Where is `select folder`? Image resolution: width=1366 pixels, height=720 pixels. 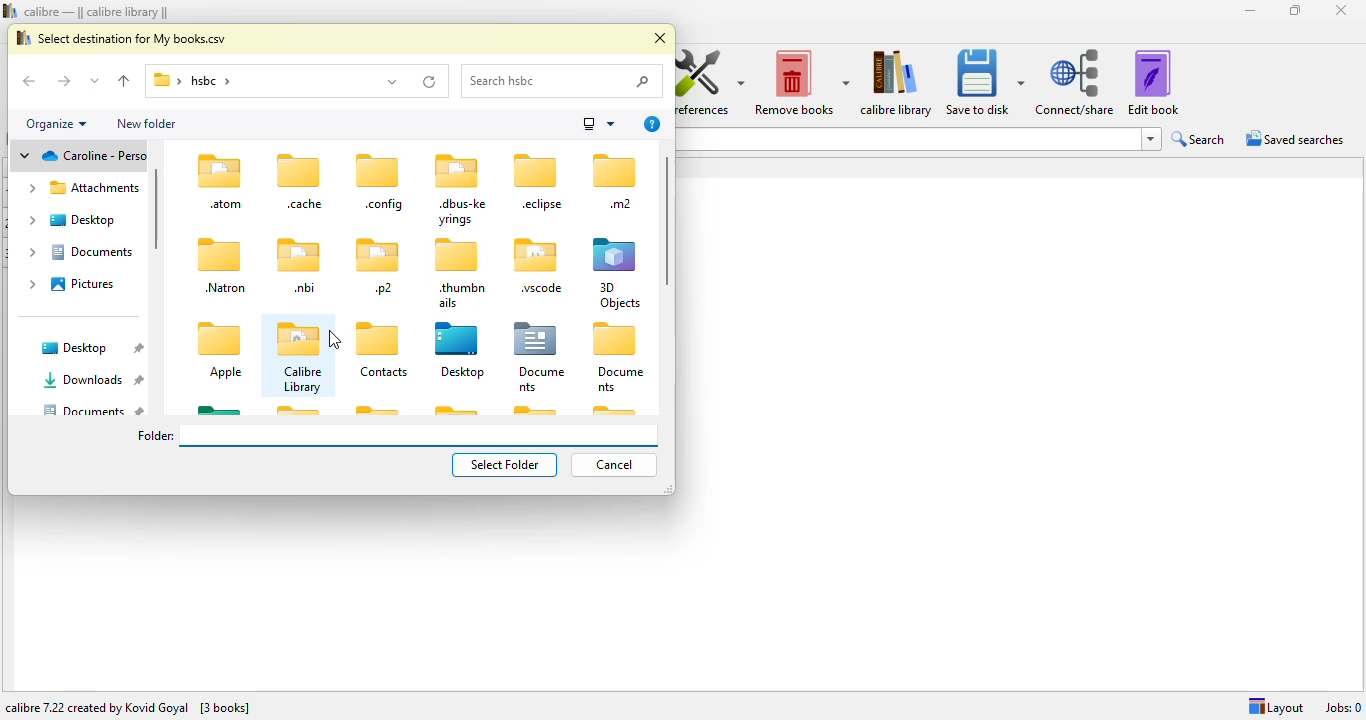
select folder is located at coordinates (505, 464).